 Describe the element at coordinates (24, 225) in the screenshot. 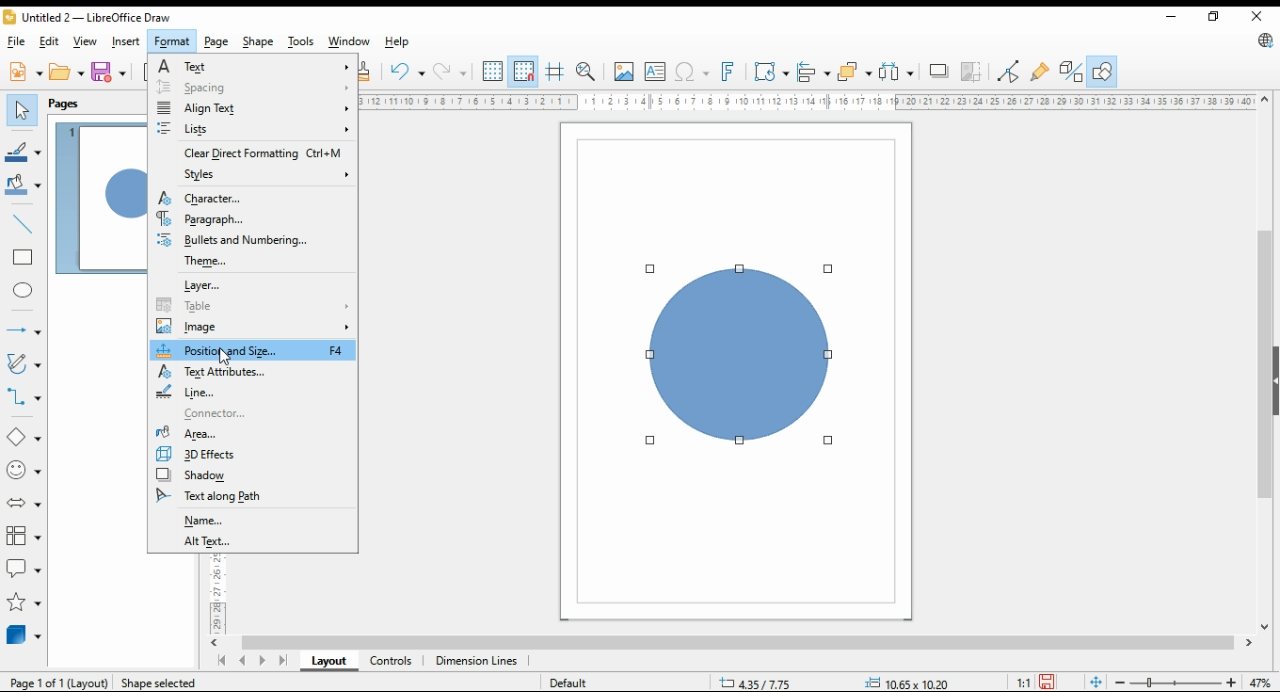

I see `insert line` at that location.